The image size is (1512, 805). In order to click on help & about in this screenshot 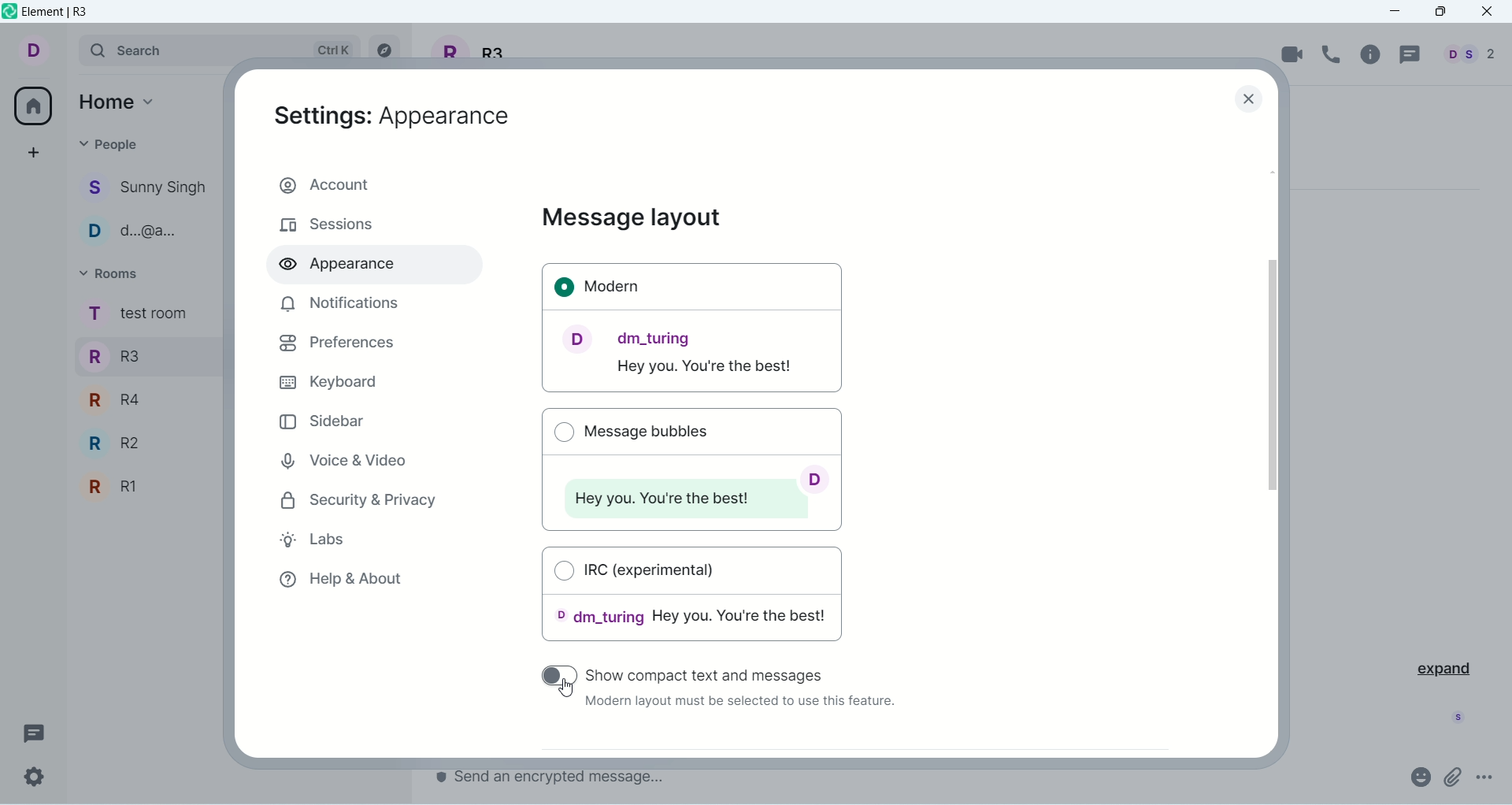, I will do `click(339, 583)`.